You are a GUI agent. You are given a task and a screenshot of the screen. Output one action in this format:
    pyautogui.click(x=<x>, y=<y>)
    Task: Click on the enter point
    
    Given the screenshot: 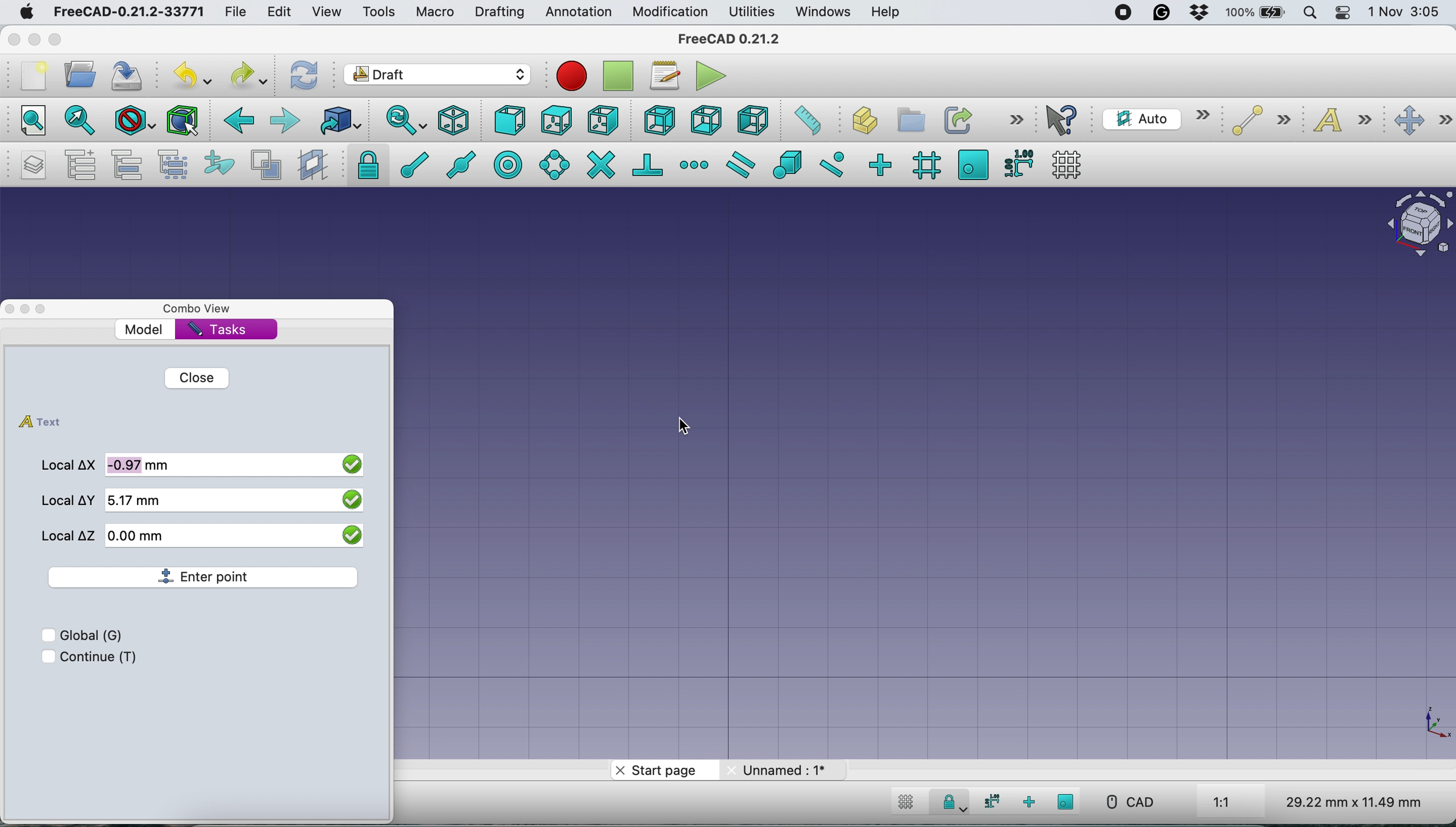 What is the action you would take?
    pyautogui.click(x=204, y=578)
    